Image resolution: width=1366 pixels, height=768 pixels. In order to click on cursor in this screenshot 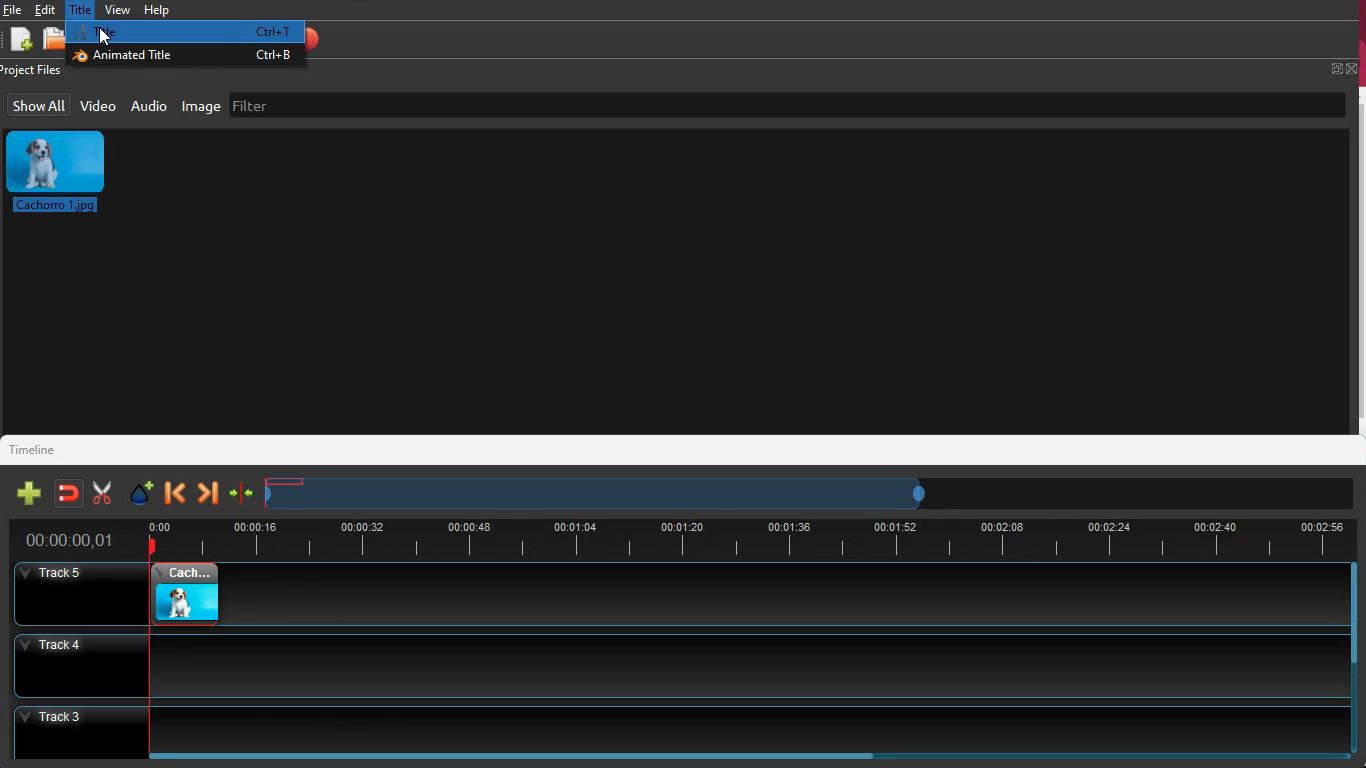, I will do `click(105, 33)`.